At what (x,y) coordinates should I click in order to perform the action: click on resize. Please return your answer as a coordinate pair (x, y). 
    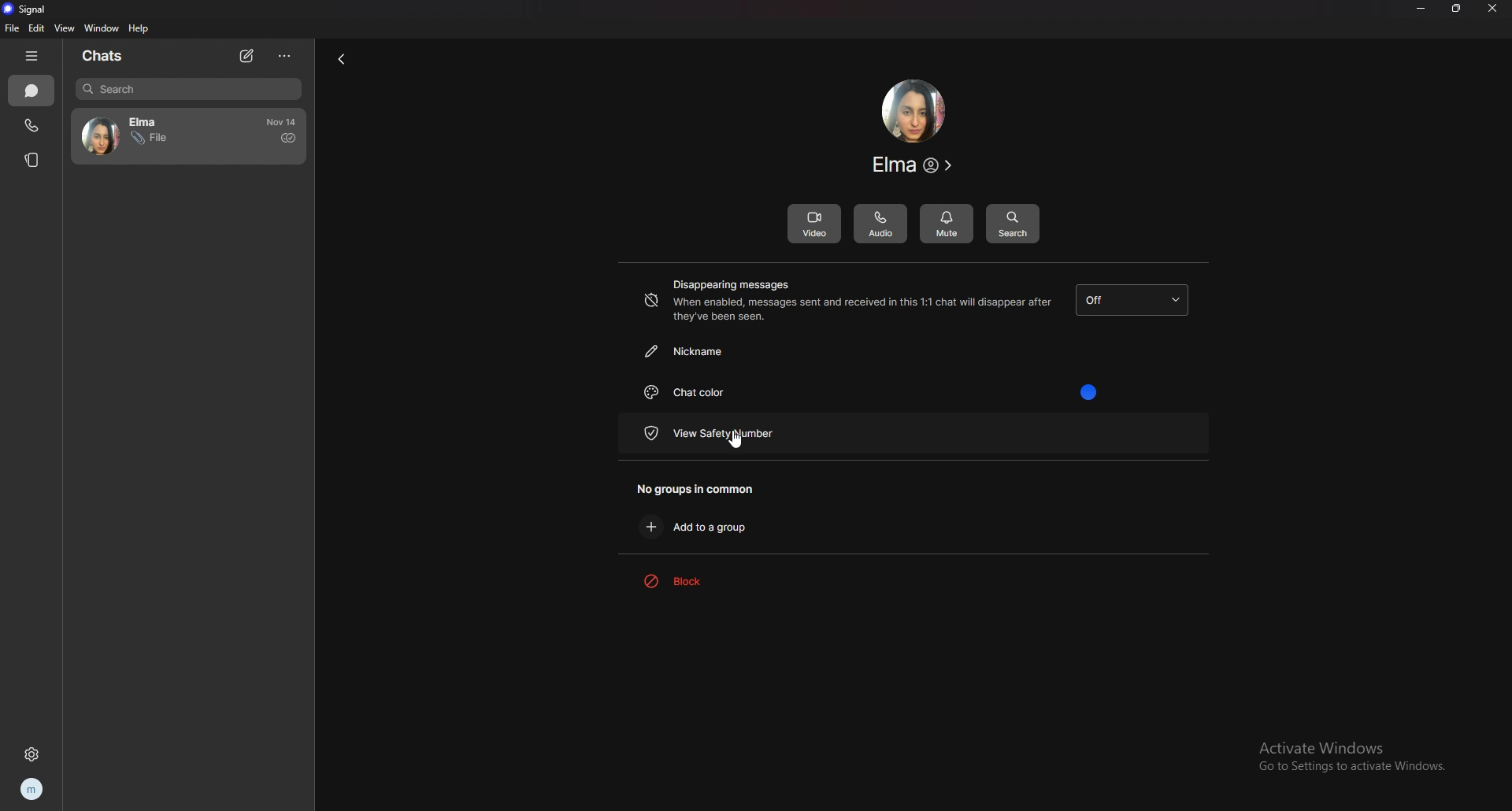
    Looking at the image, I should click on (1456, 9).